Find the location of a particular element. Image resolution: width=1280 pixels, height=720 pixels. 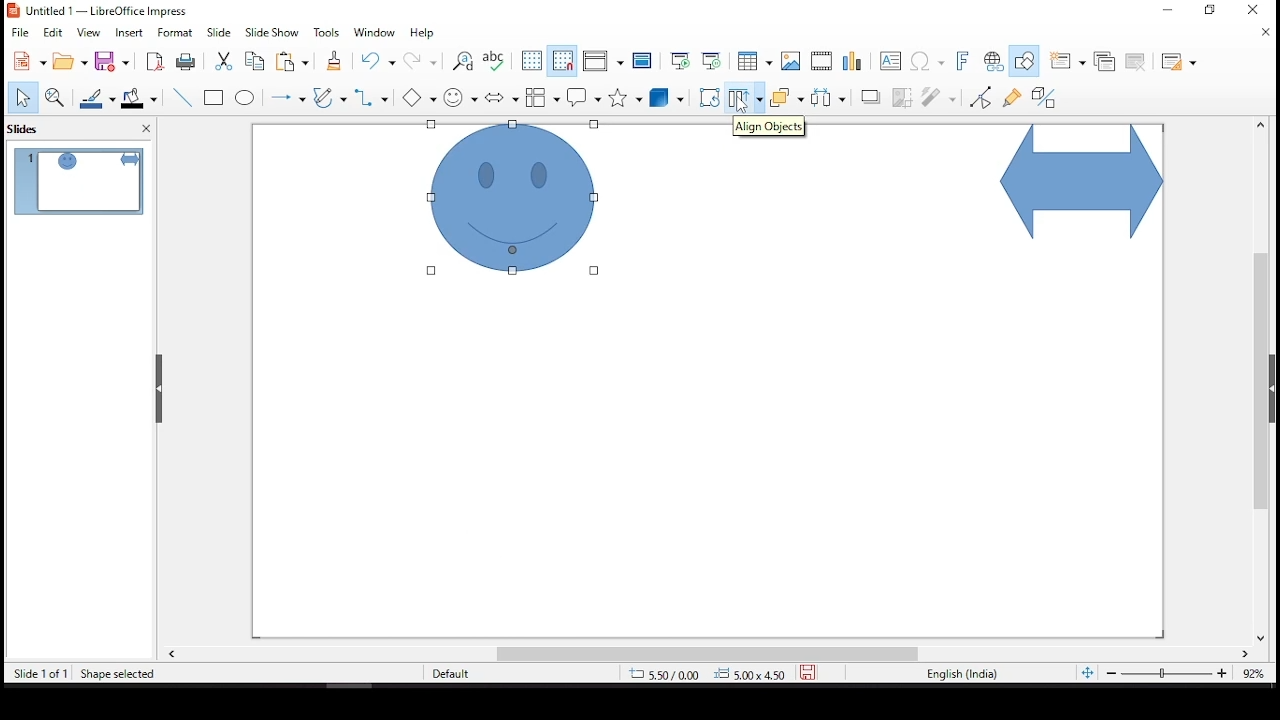

lines and arrows is located at coordinates (287, 97).